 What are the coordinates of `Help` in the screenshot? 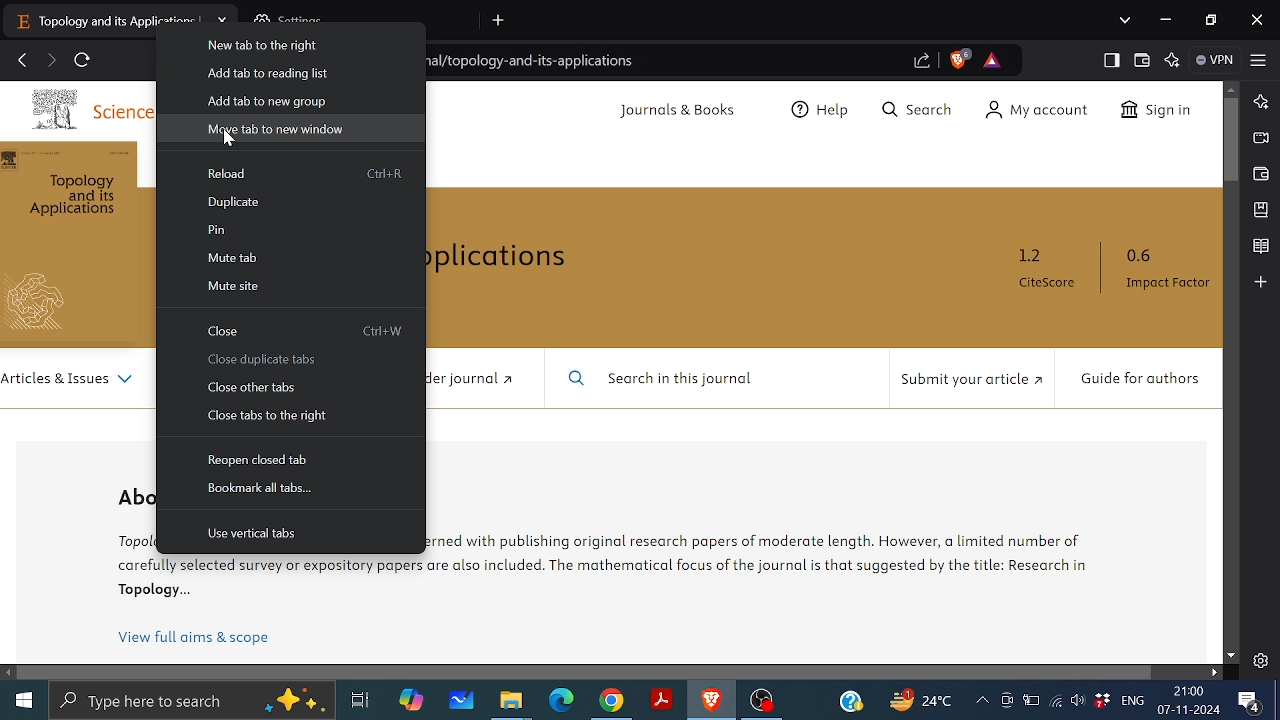 It's located at (822, 111).